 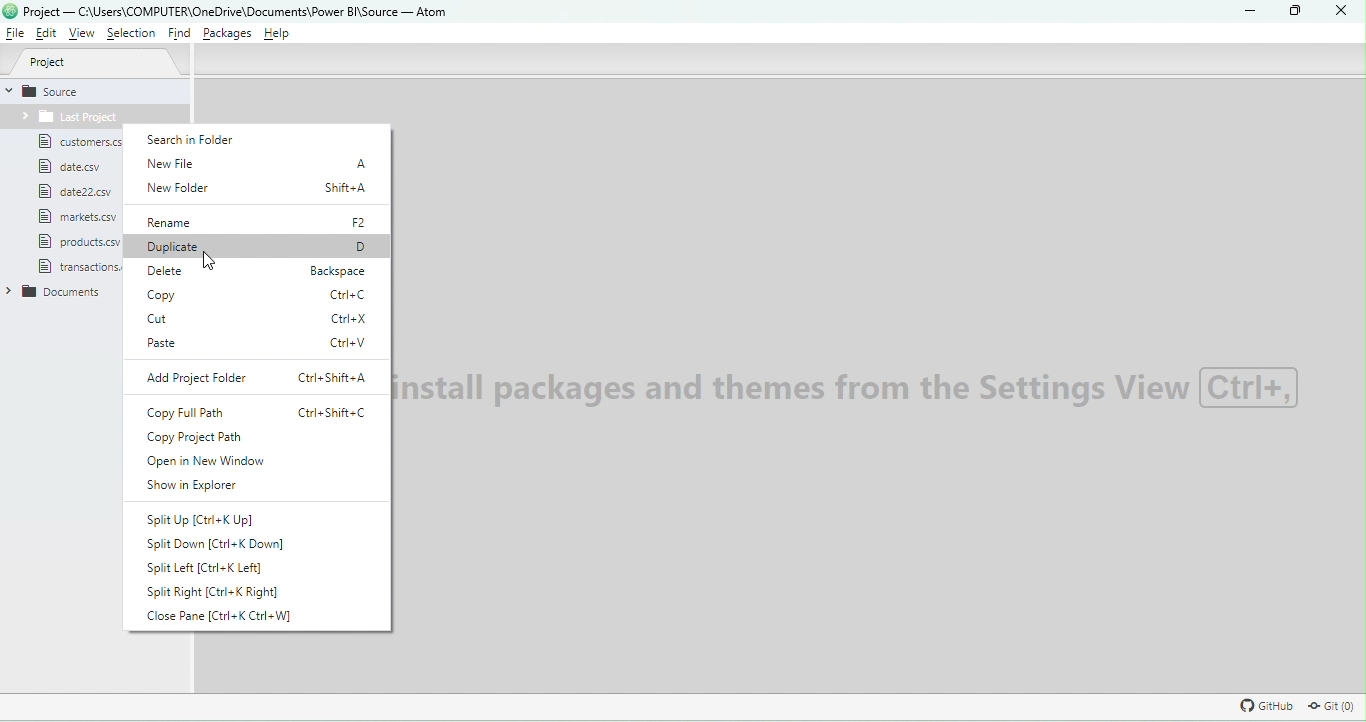 What do you see at coordinates (217, 139) in the screenshot?
I see `Search in folder` at bounding box center [217, 139].